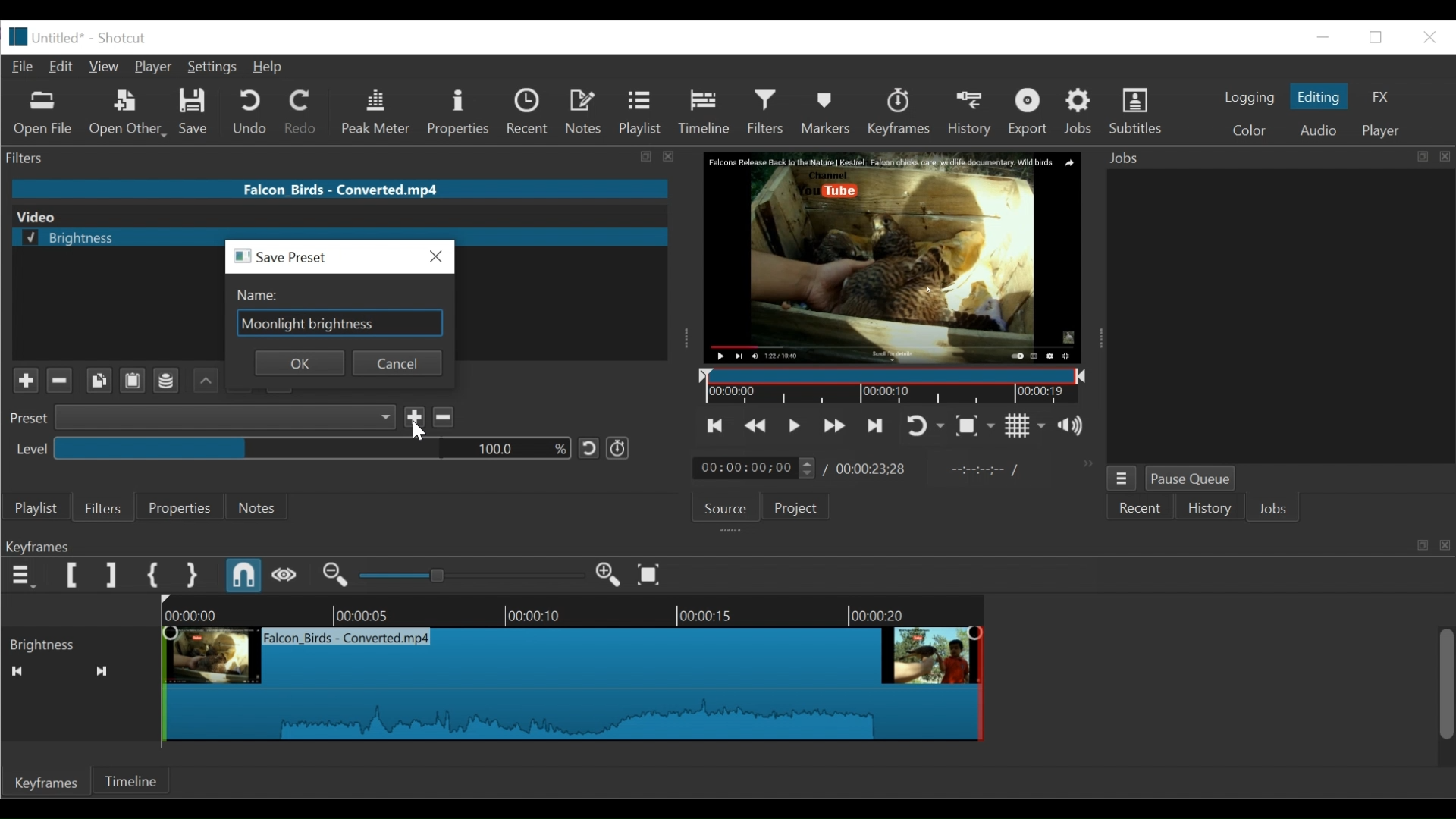 This screenshot has width=1456, height=819. What do you see at coordinates (311, 447) in the screenshot?
I see `Percentage level` at bounding box center [311, 447].